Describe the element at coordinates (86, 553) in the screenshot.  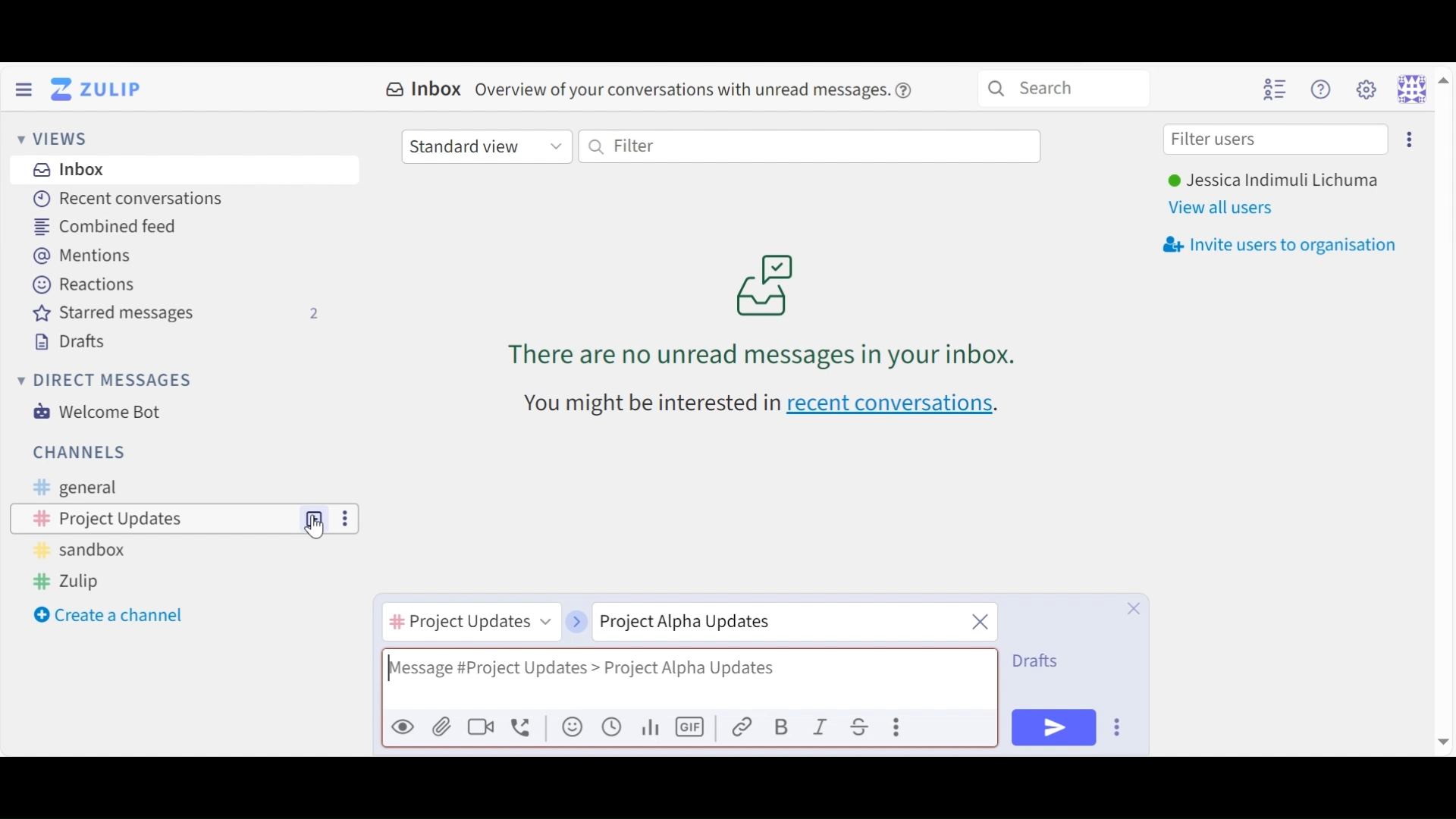
I see `Sandbox Channel` at that location.